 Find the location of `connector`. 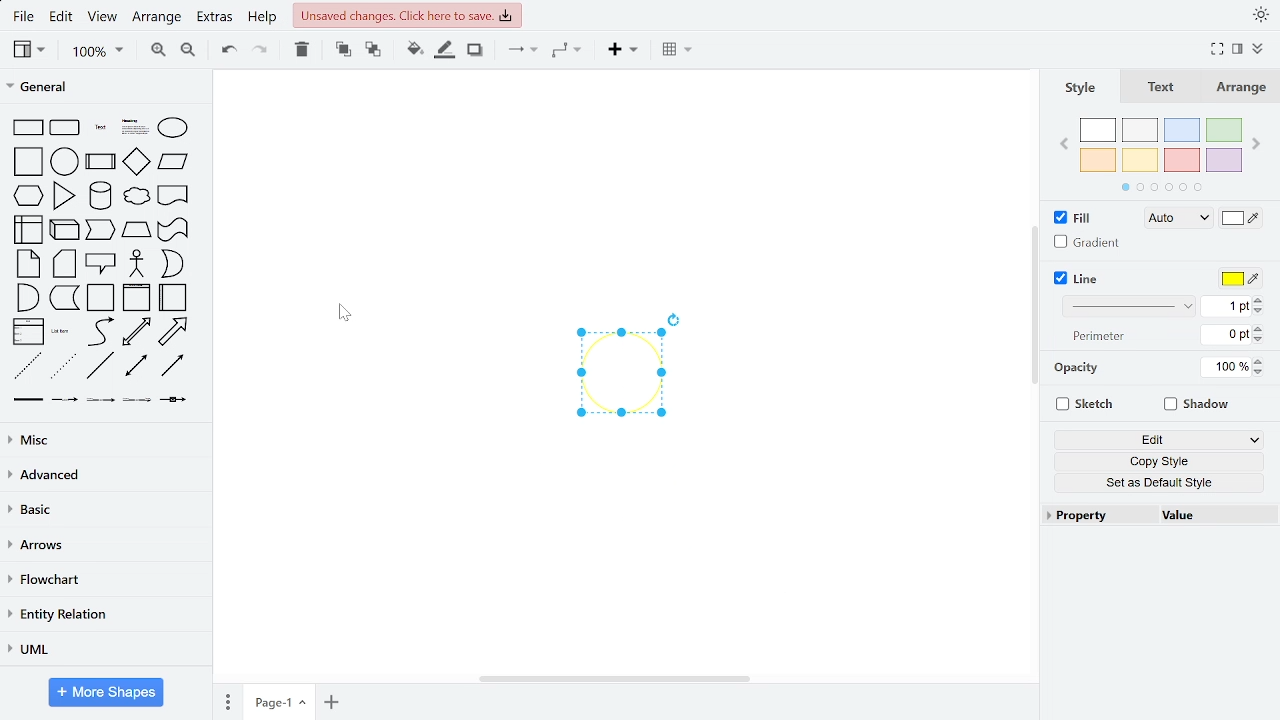

connector is located at coordinates (521, 50).